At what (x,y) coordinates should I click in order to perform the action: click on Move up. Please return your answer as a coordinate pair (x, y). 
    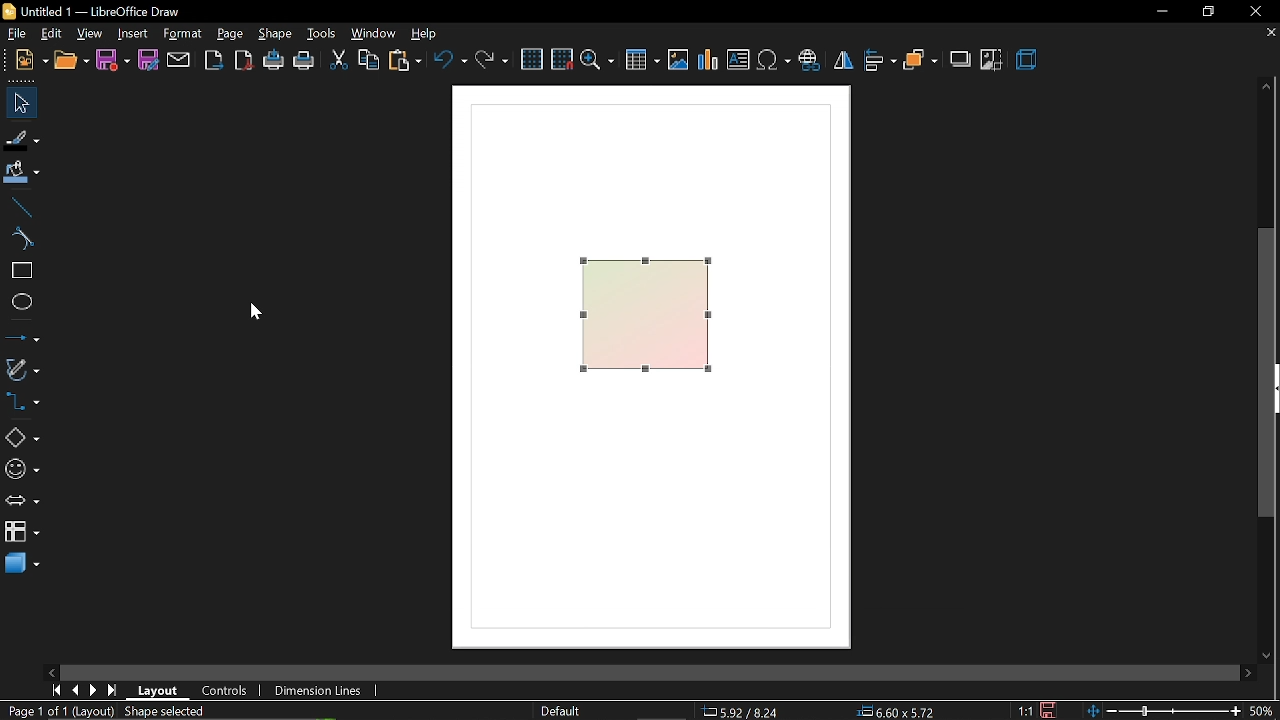
    Looking at the image, I should click on (1265, 87).